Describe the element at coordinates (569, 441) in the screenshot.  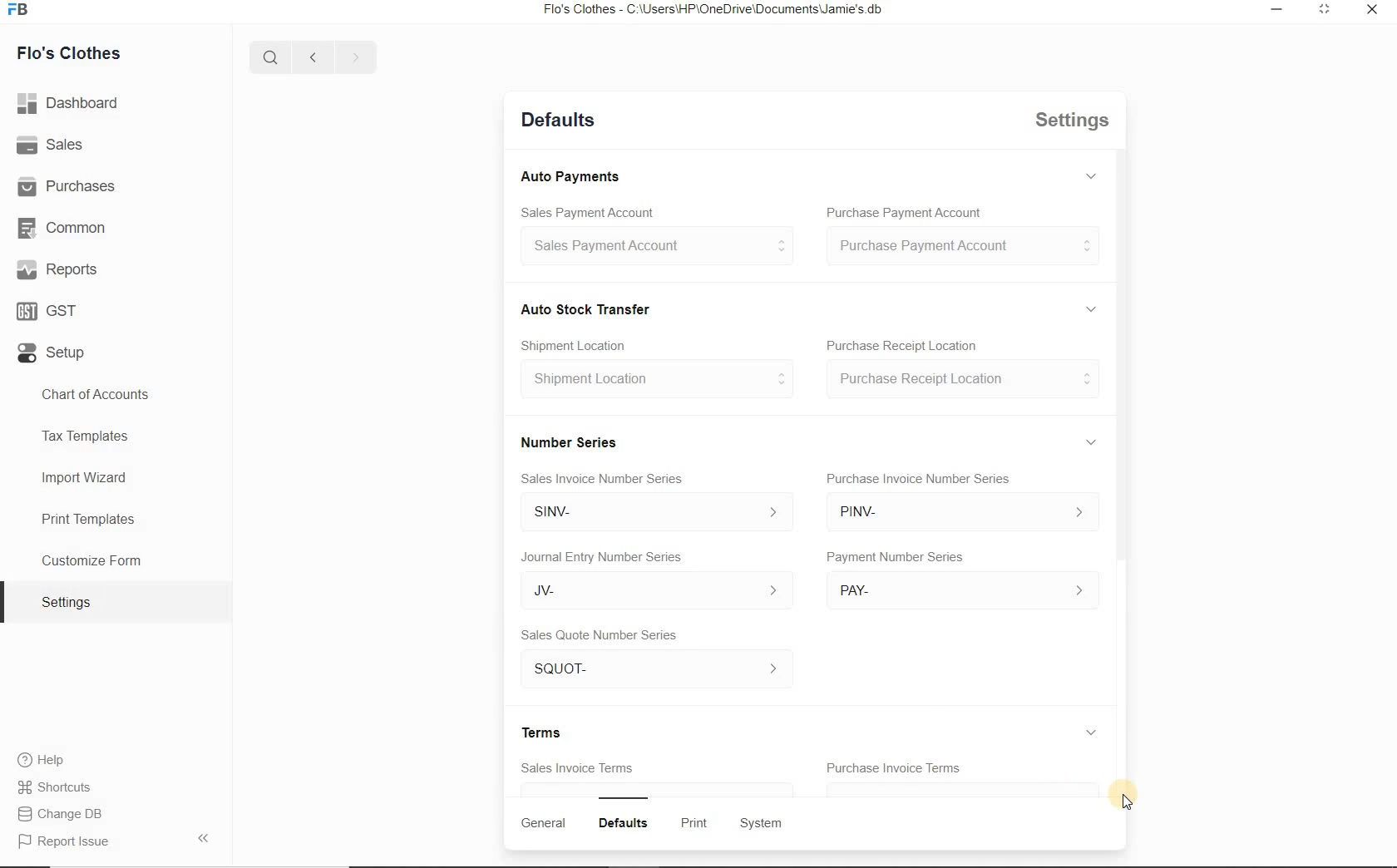
I see `Number Series` at that location.